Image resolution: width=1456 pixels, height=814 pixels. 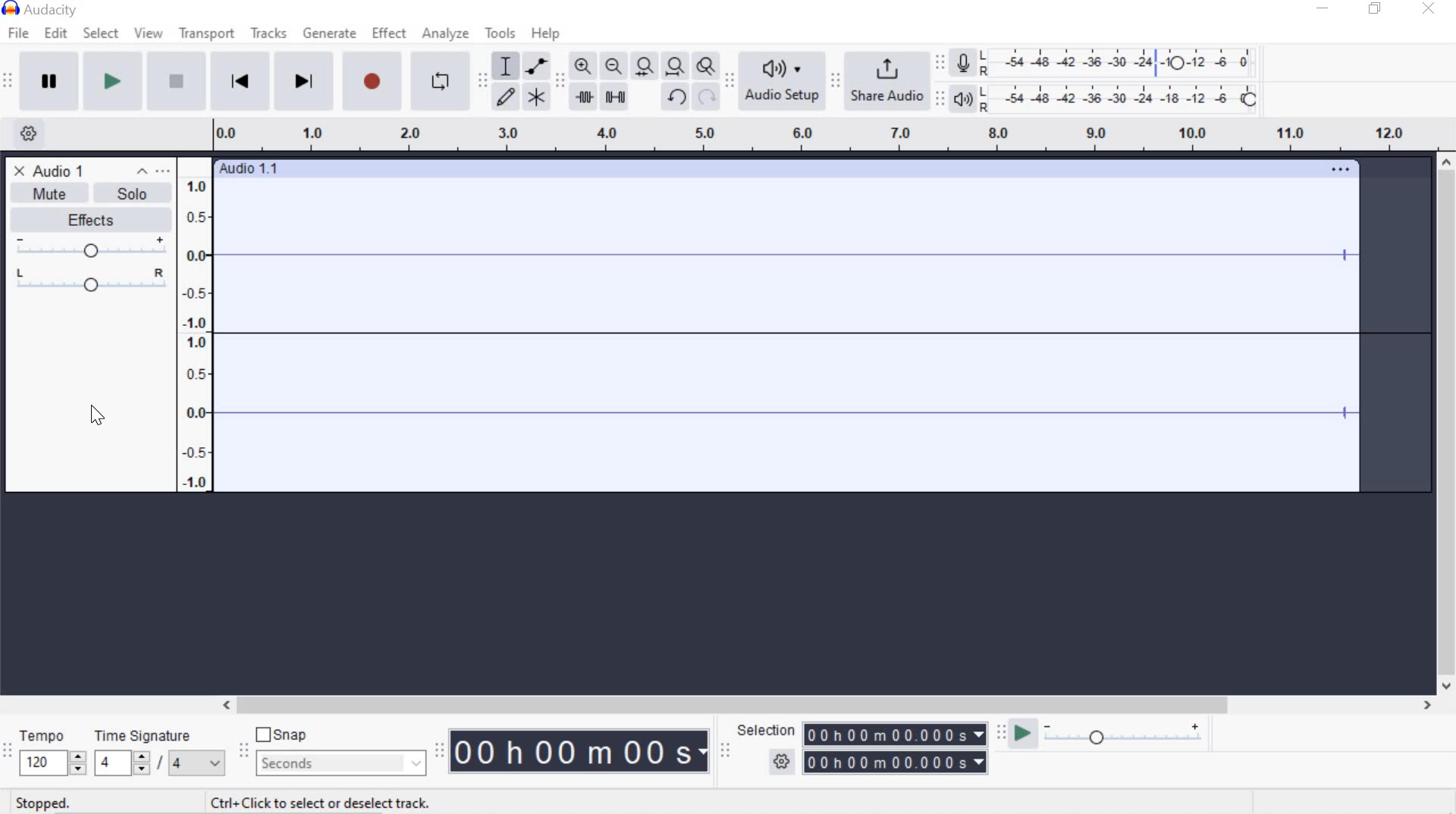 I want to click on Zoom Toggle, so click(x=707, y=68).